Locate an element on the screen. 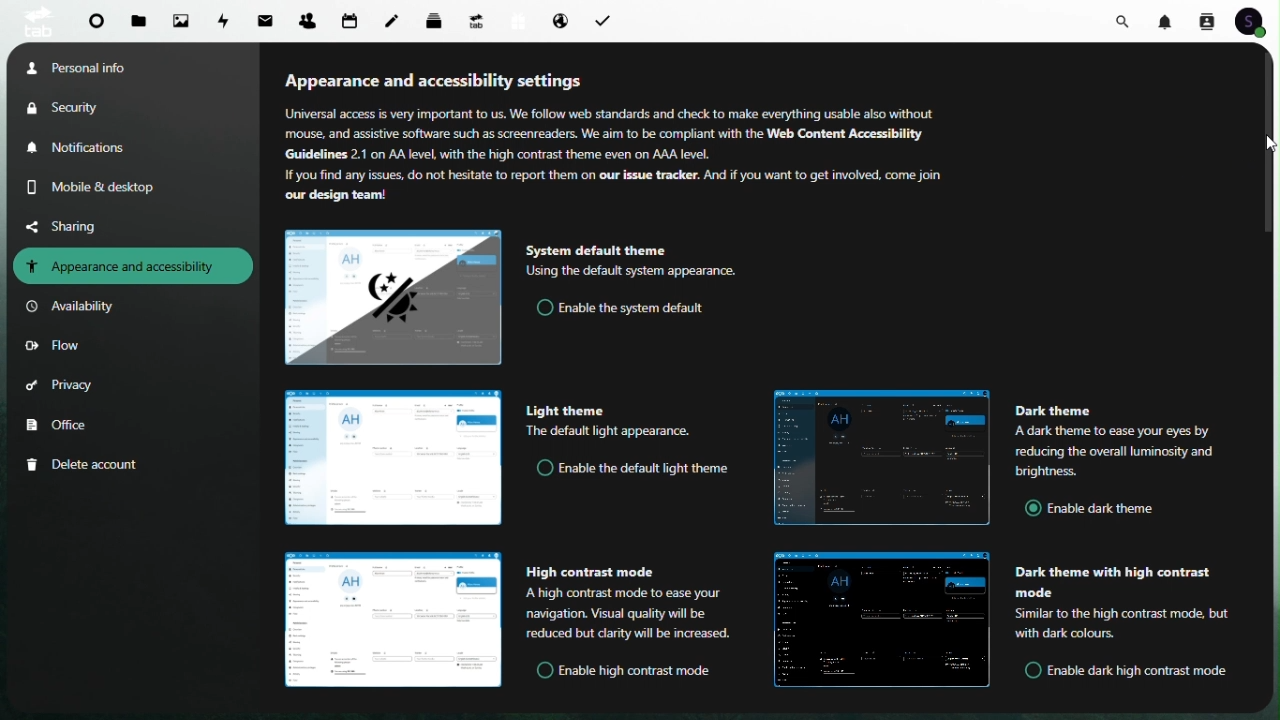  Enable high contrast mode is located at coordinates (621, 671).